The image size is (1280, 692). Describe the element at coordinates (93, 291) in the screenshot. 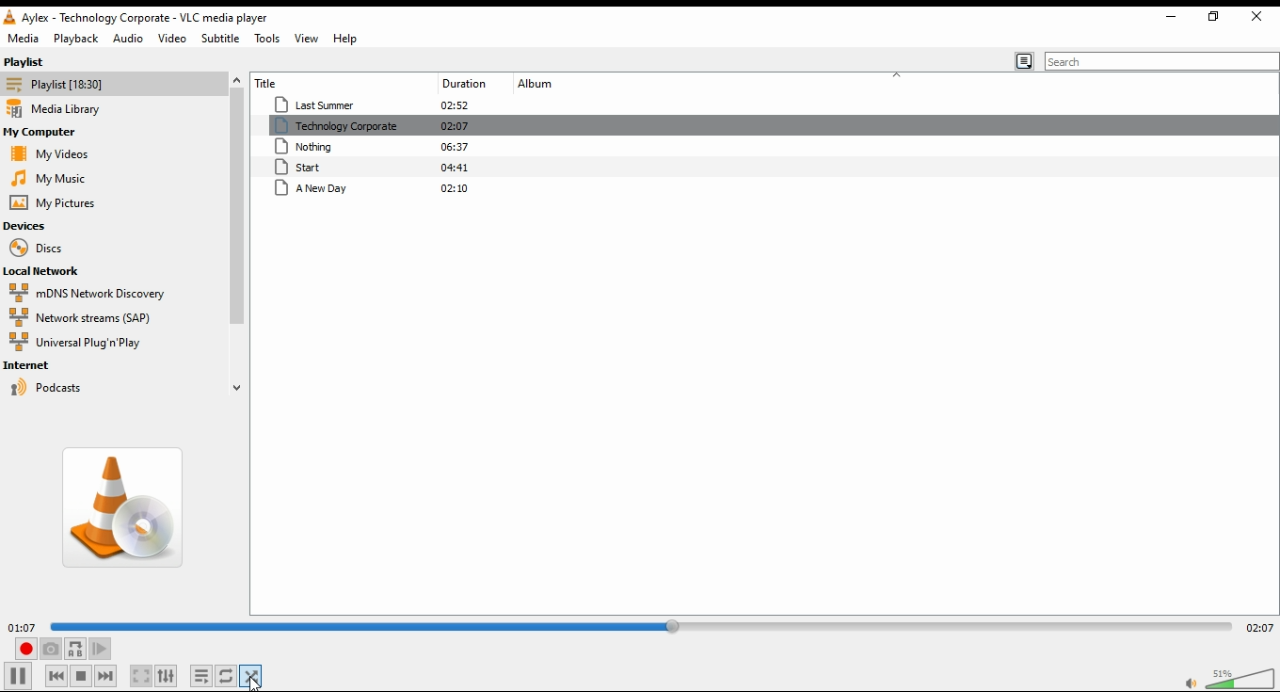

I see `mDNS network discovery` at that location.